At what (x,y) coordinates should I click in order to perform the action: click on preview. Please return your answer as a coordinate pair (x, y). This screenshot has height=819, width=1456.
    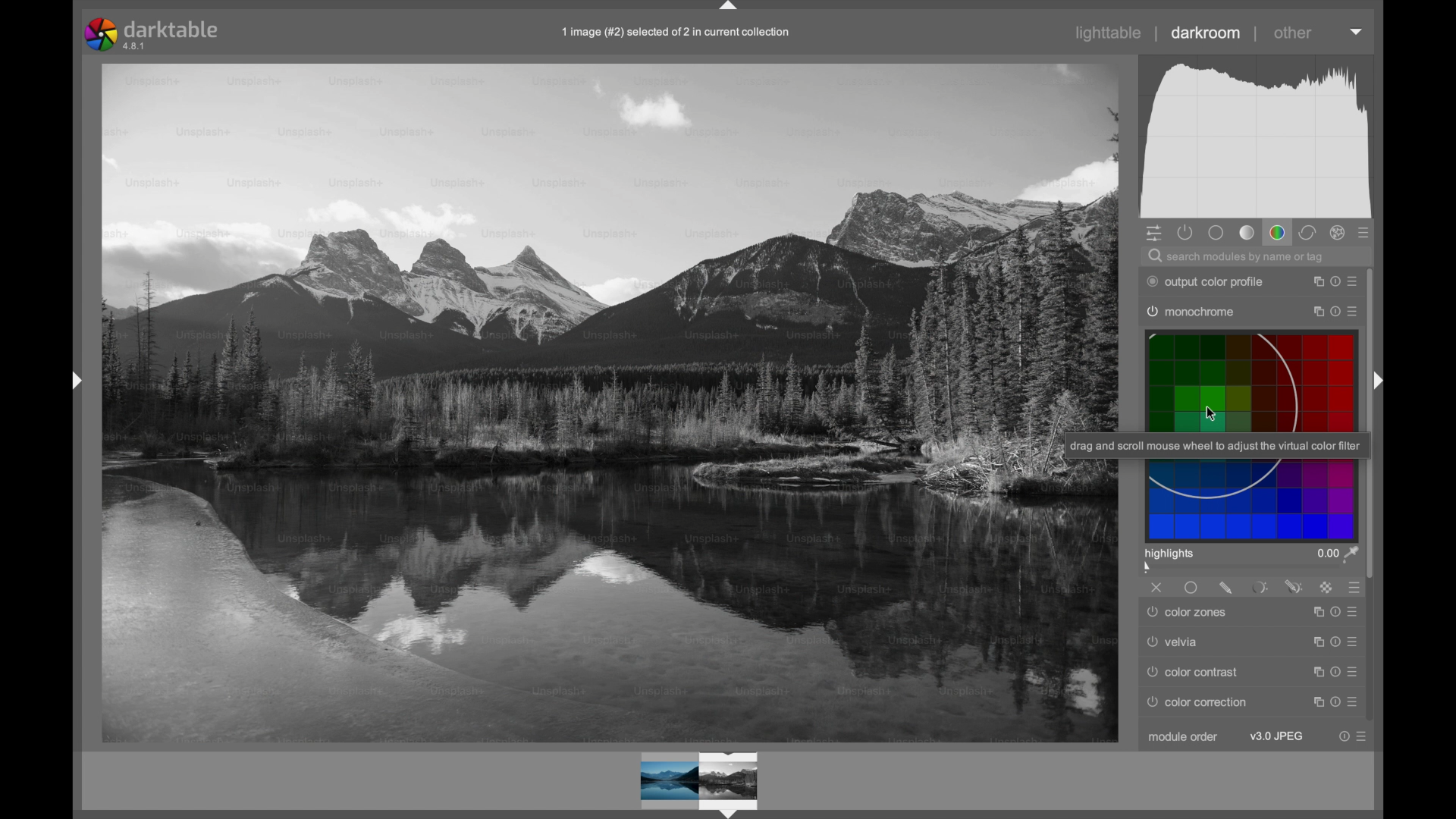
    Looking at the image, I should click on (695, 783).